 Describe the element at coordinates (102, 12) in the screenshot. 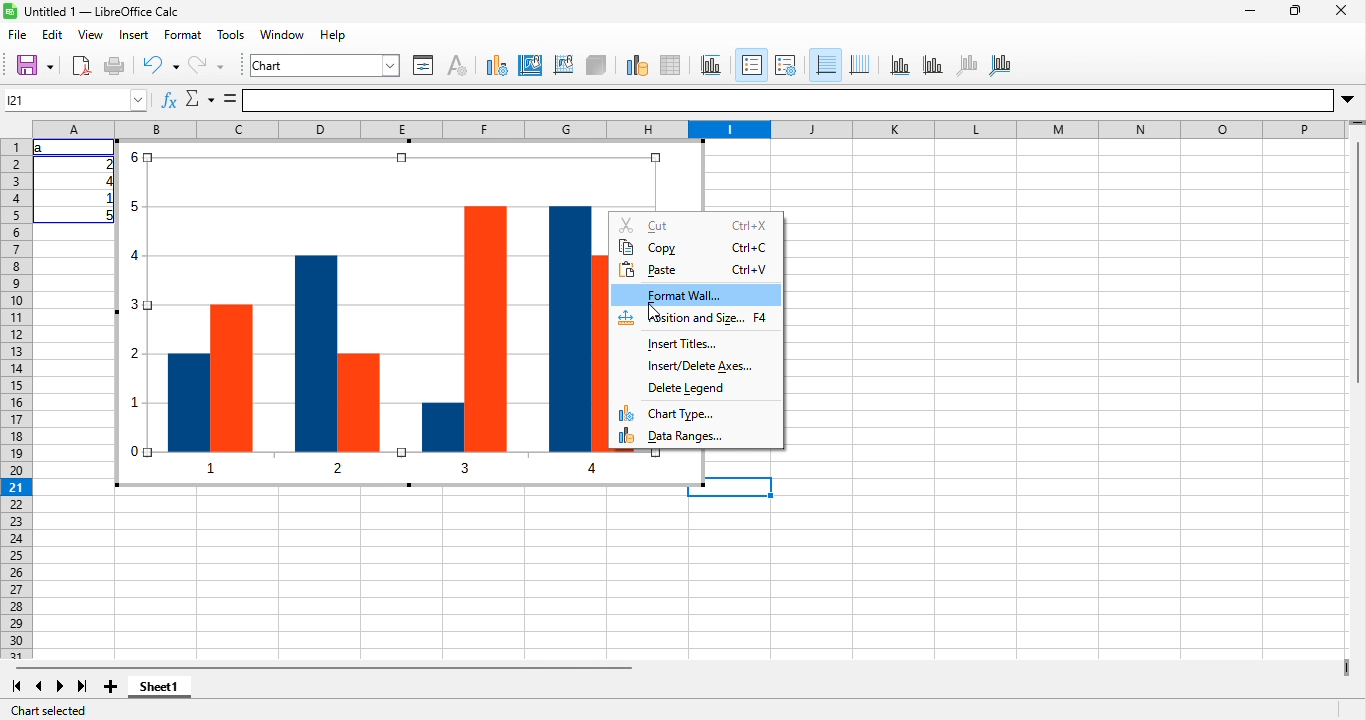

I see `Untitled 1 — LibreOffice Calc` at that location.